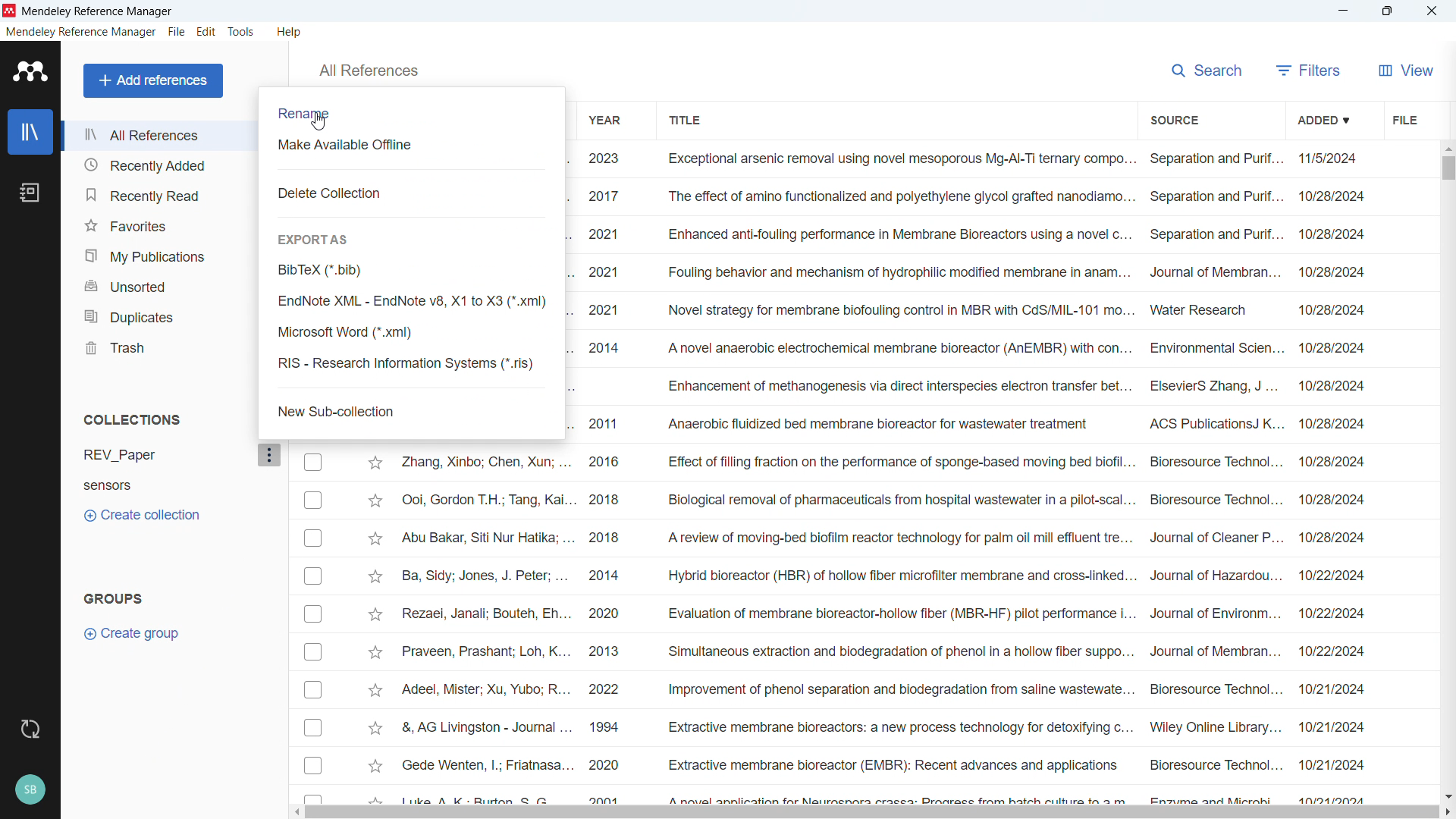 The height and width of the screenshot is (819, 1456). Describe the element at coordinates (121, 488) in the screenshot. I see `sensors` at that location.